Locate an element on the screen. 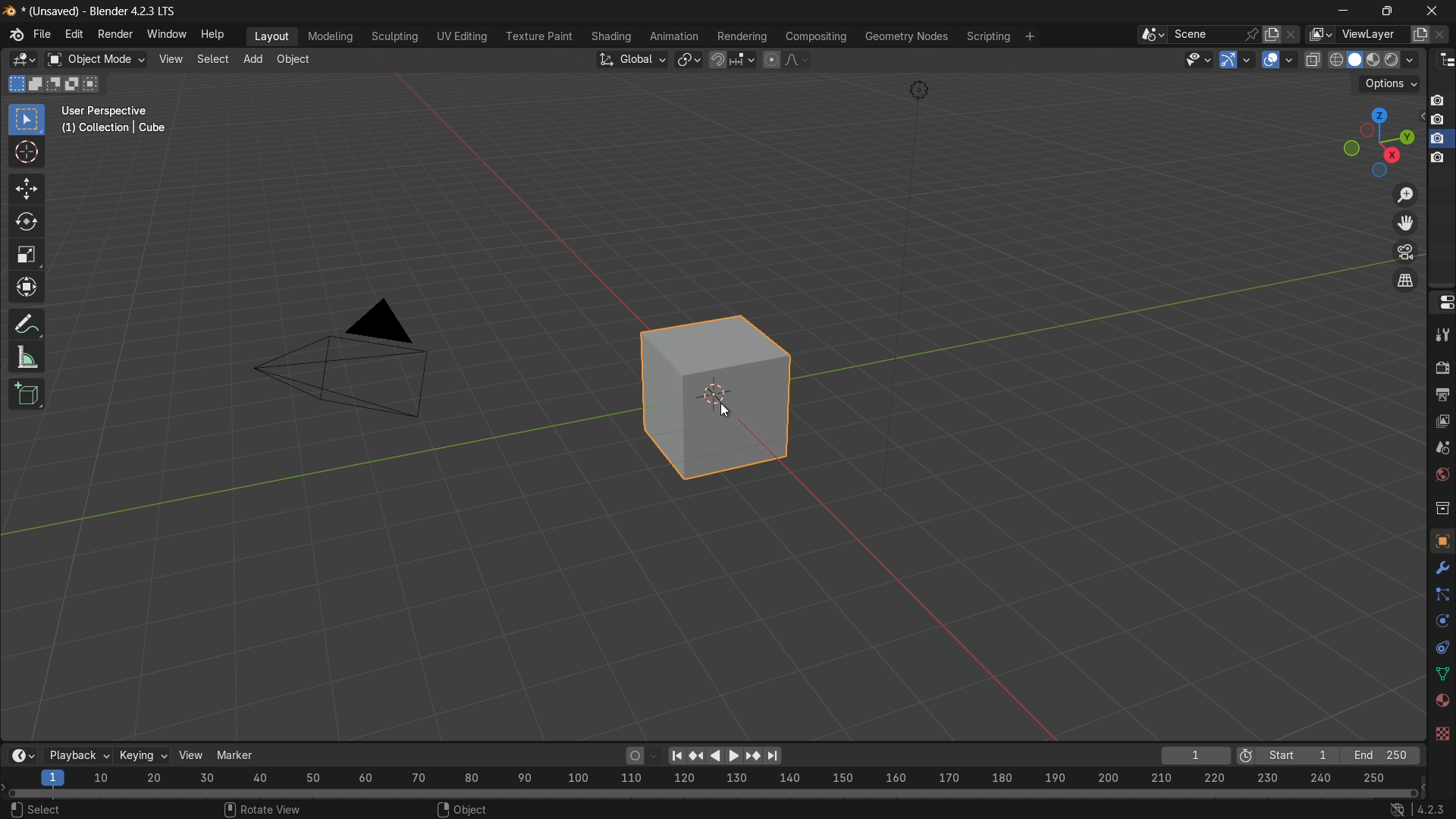 This screenshot has height=819, width=1456. animation menu is located at coordinates (673, 34).